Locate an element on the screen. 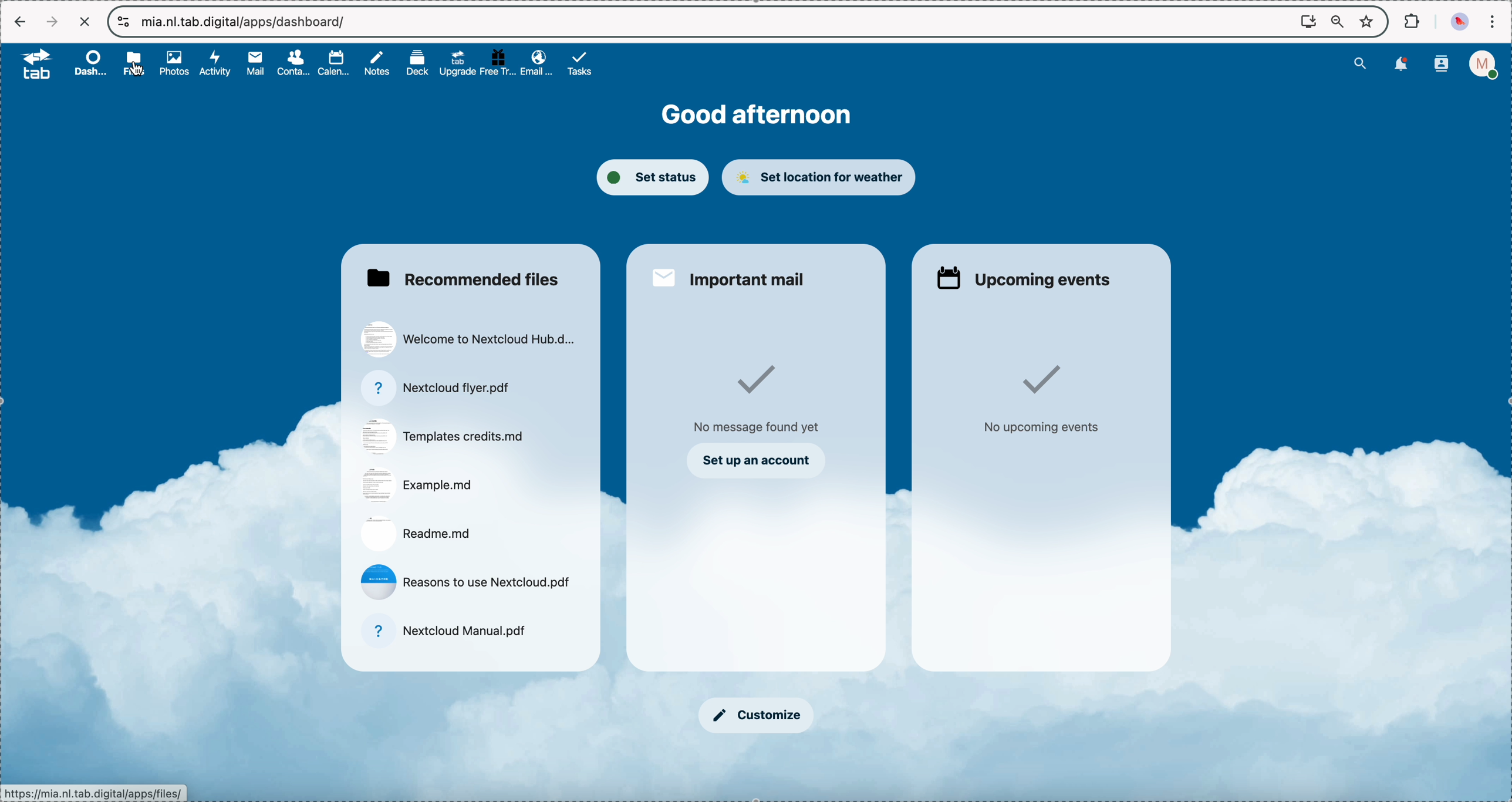 The height and width of the screenshot is (802, 1512). file is located at coordinates (442, 436).